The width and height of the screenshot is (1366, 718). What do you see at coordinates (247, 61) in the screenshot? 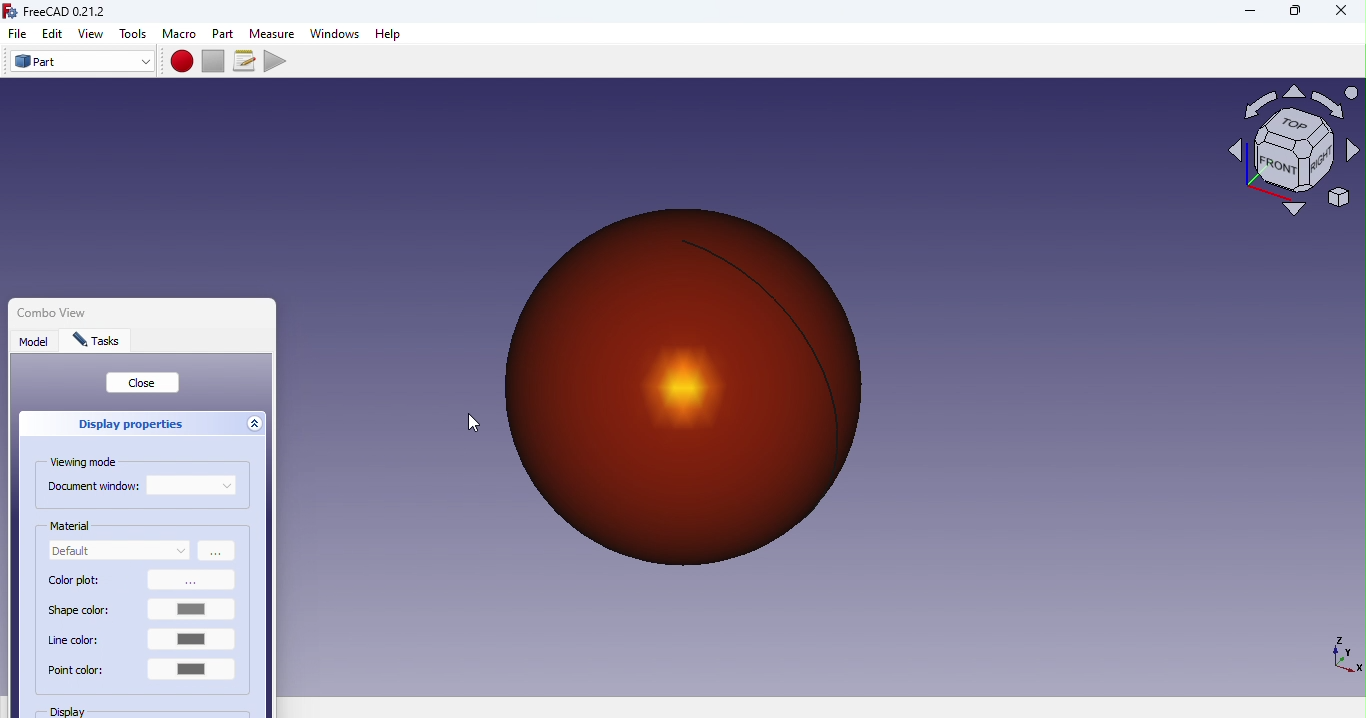
I see `Macros` at bounding box center [247, 61].